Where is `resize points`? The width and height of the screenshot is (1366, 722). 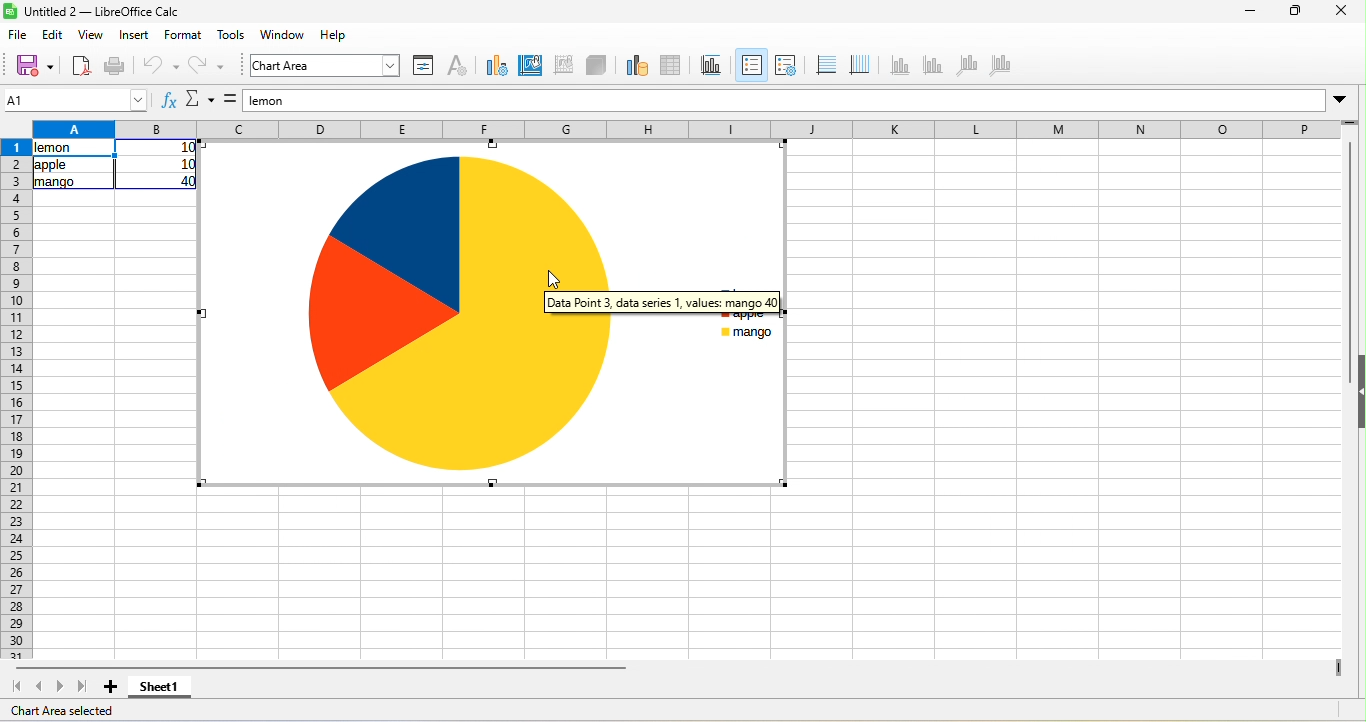
resize points is located at coordinates (493, 484).